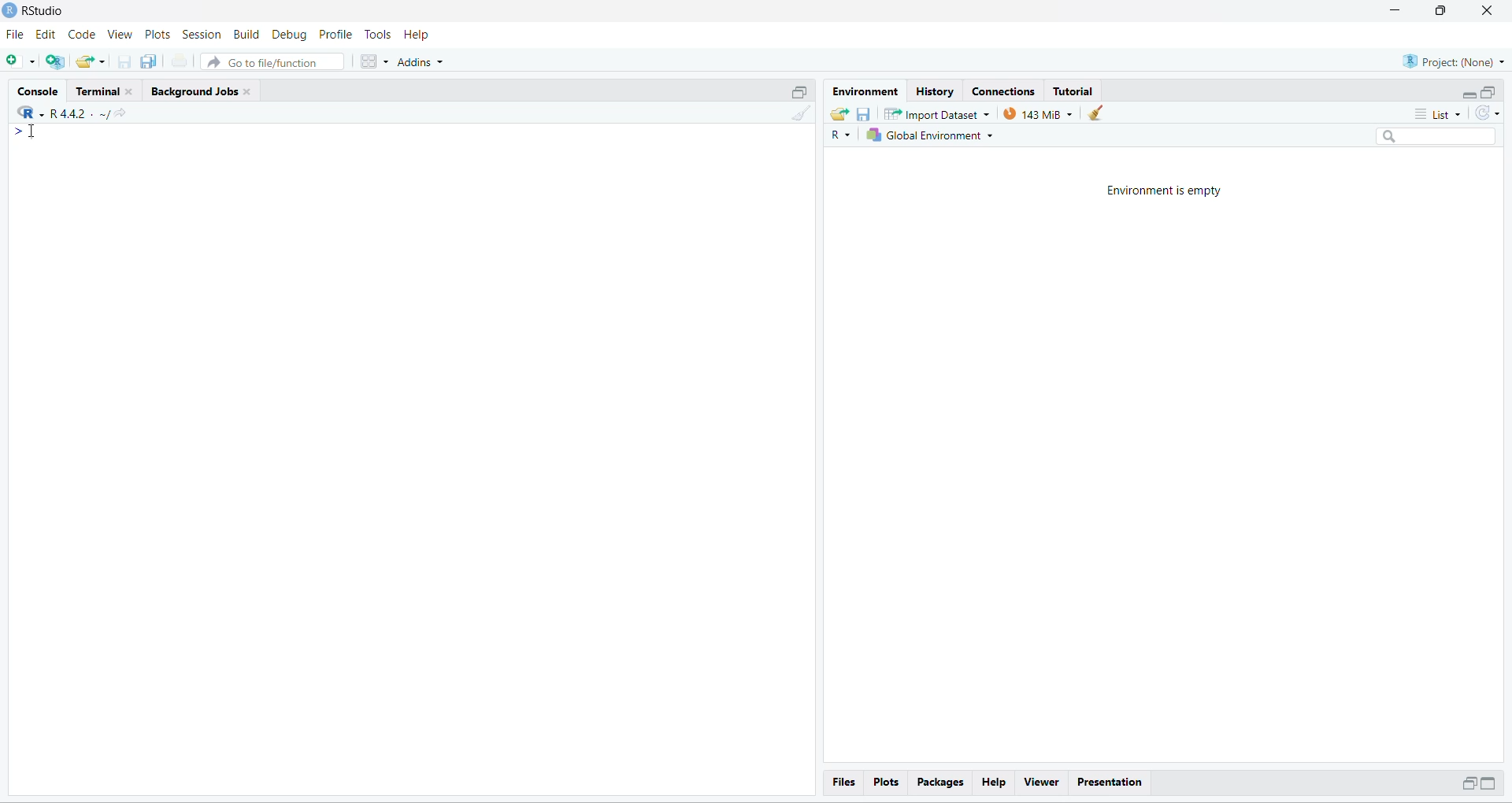  Describe the element at coordinates (867, 92) in the screenshot. I see `enviornment` at that location.